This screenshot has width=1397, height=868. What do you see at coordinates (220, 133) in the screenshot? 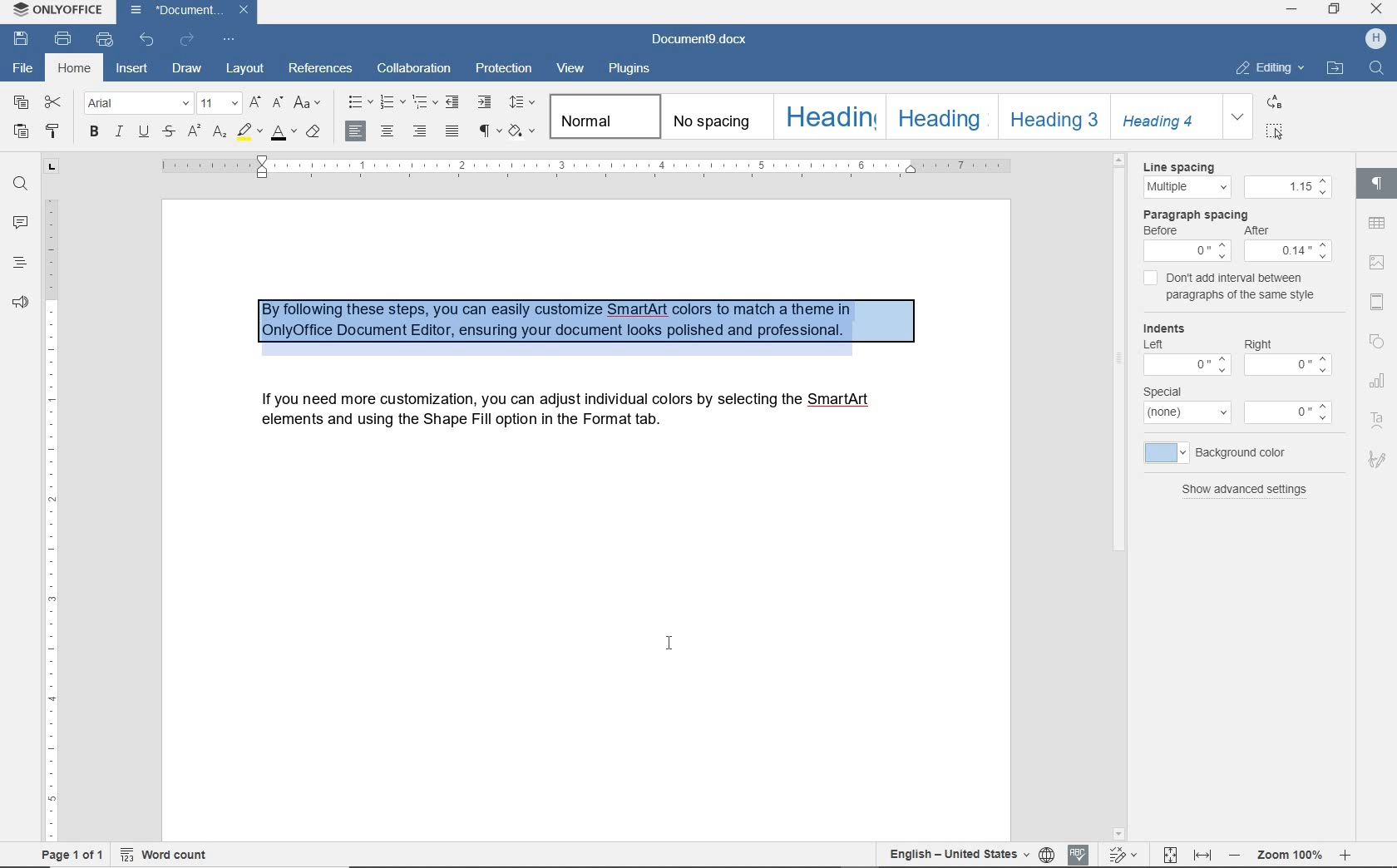
I see `subscript` at bounding box center [220, 133].